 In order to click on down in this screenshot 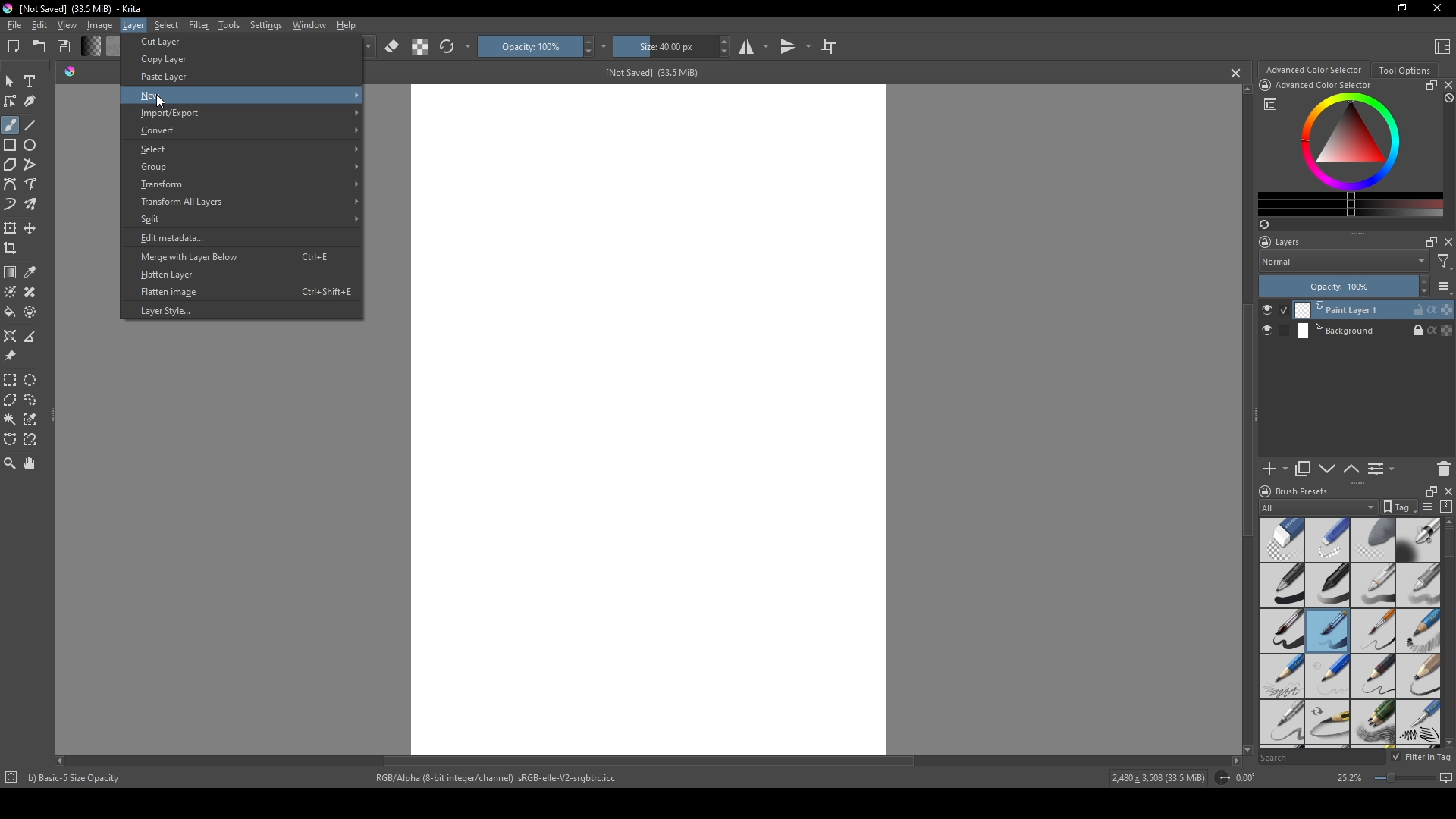, I will do `click(1327, 469)`.